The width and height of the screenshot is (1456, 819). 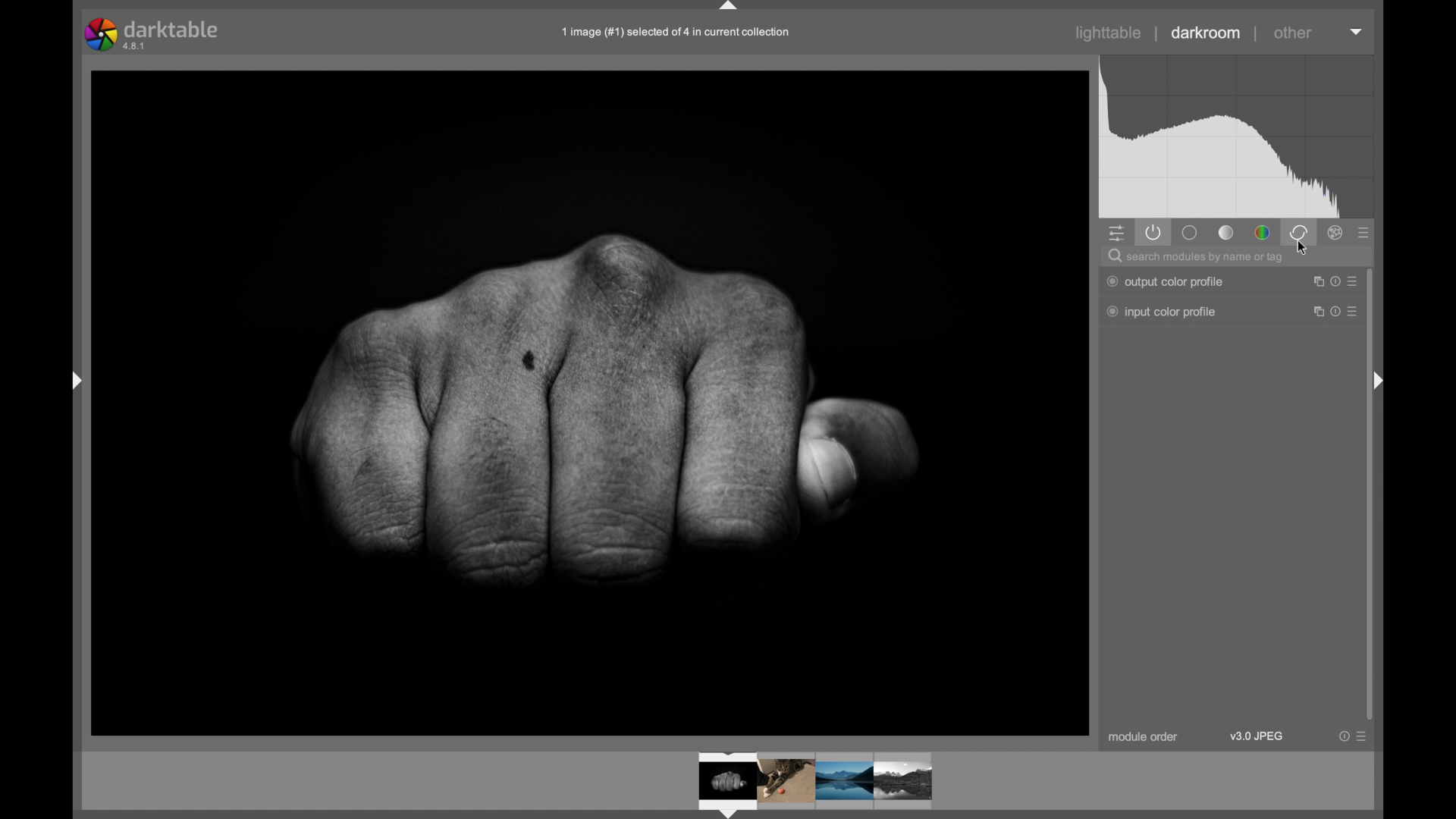 What do you see at coordinates (1353, 736) in the screenshot?
I see `more options` at bounding box center [1353, 736].